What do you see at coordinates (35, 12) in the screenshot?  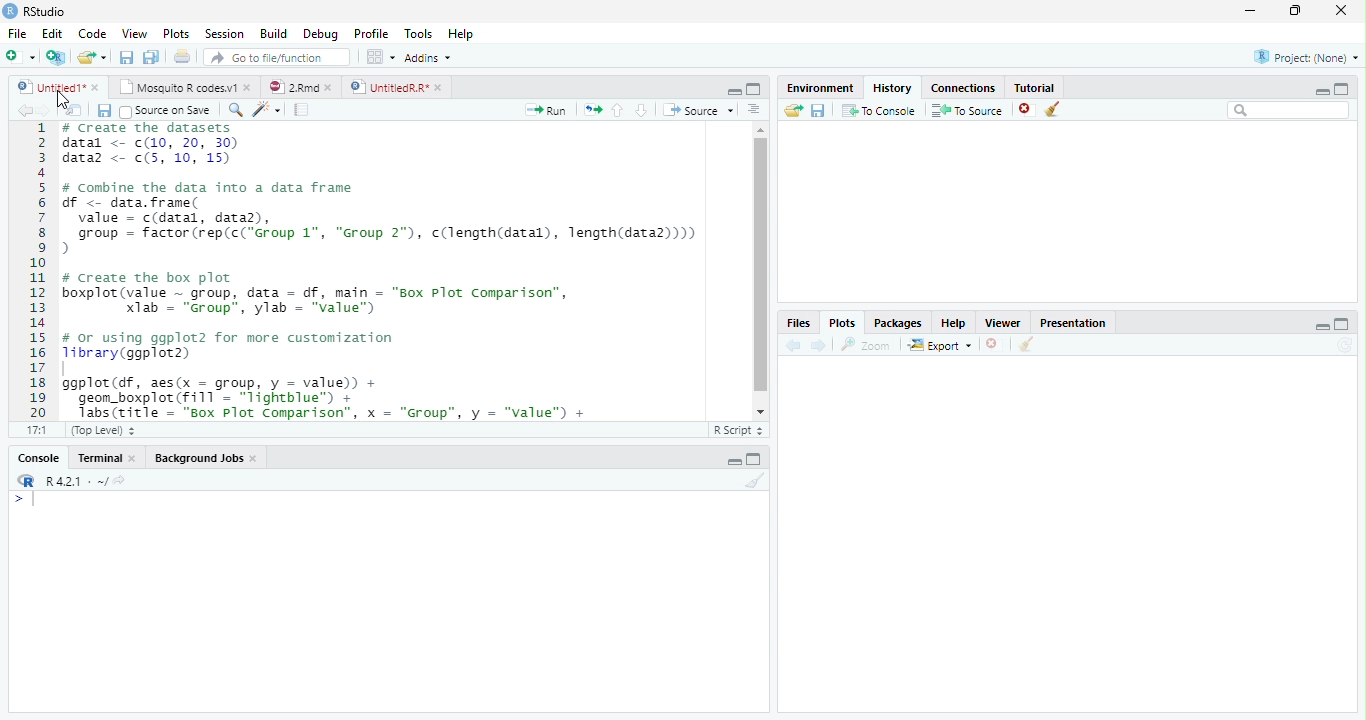 I see `RStudio` at bounding box center [35, 12].